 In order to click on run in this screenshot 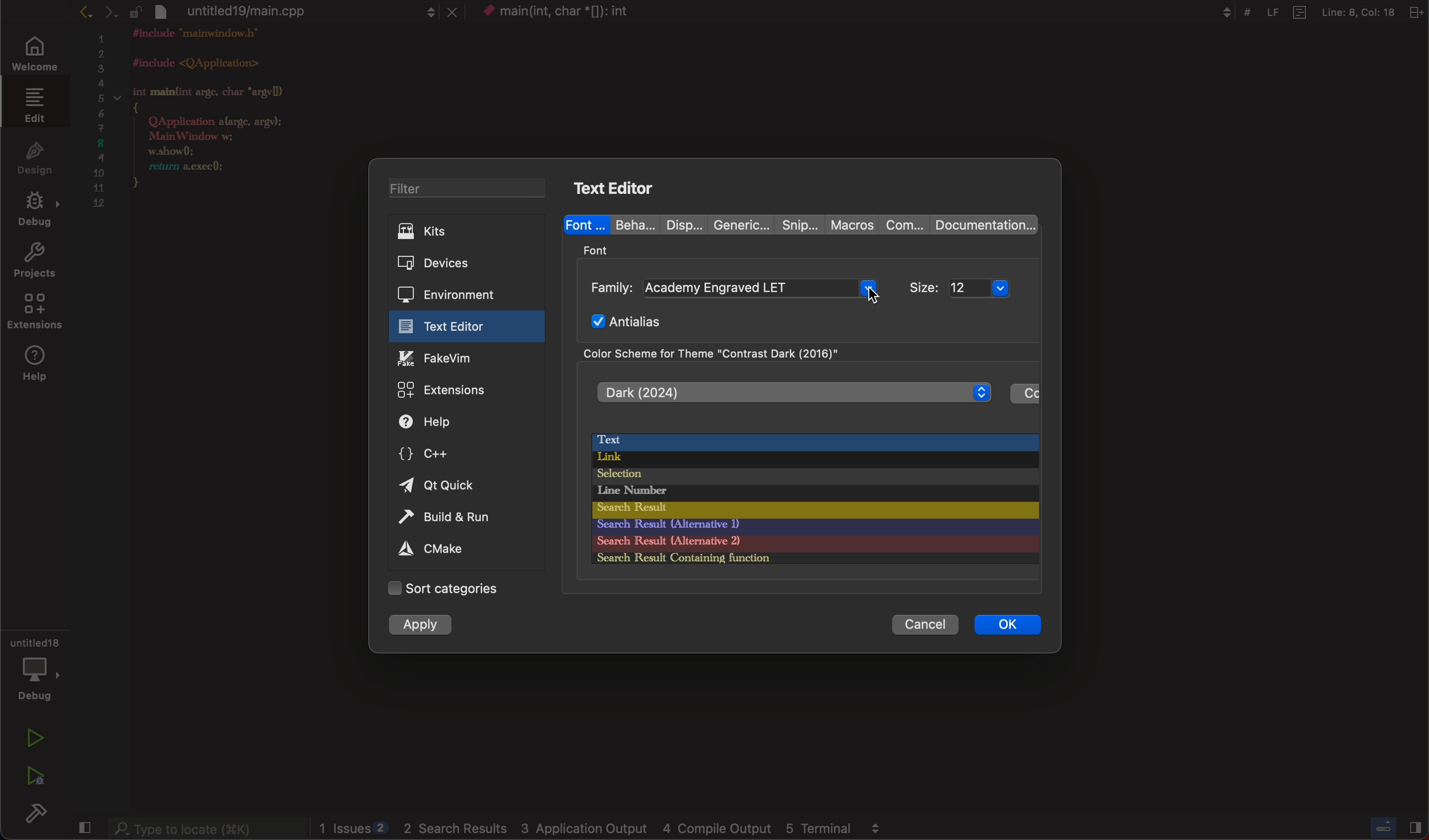, I will do `click(31, 739)`.